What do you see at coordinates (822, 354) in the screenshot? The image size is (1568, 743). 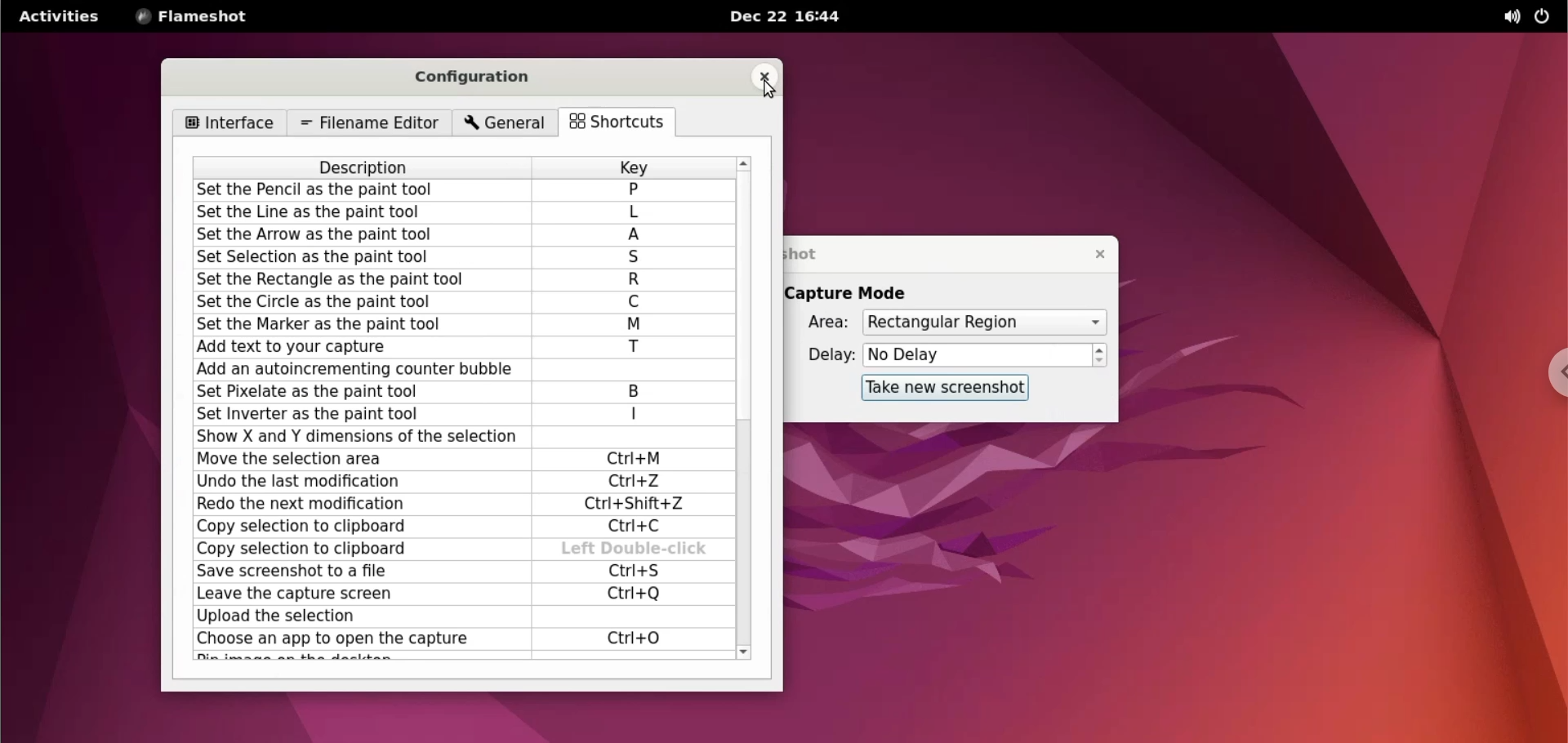 I see `delay:` at bounding box center [822, 354].